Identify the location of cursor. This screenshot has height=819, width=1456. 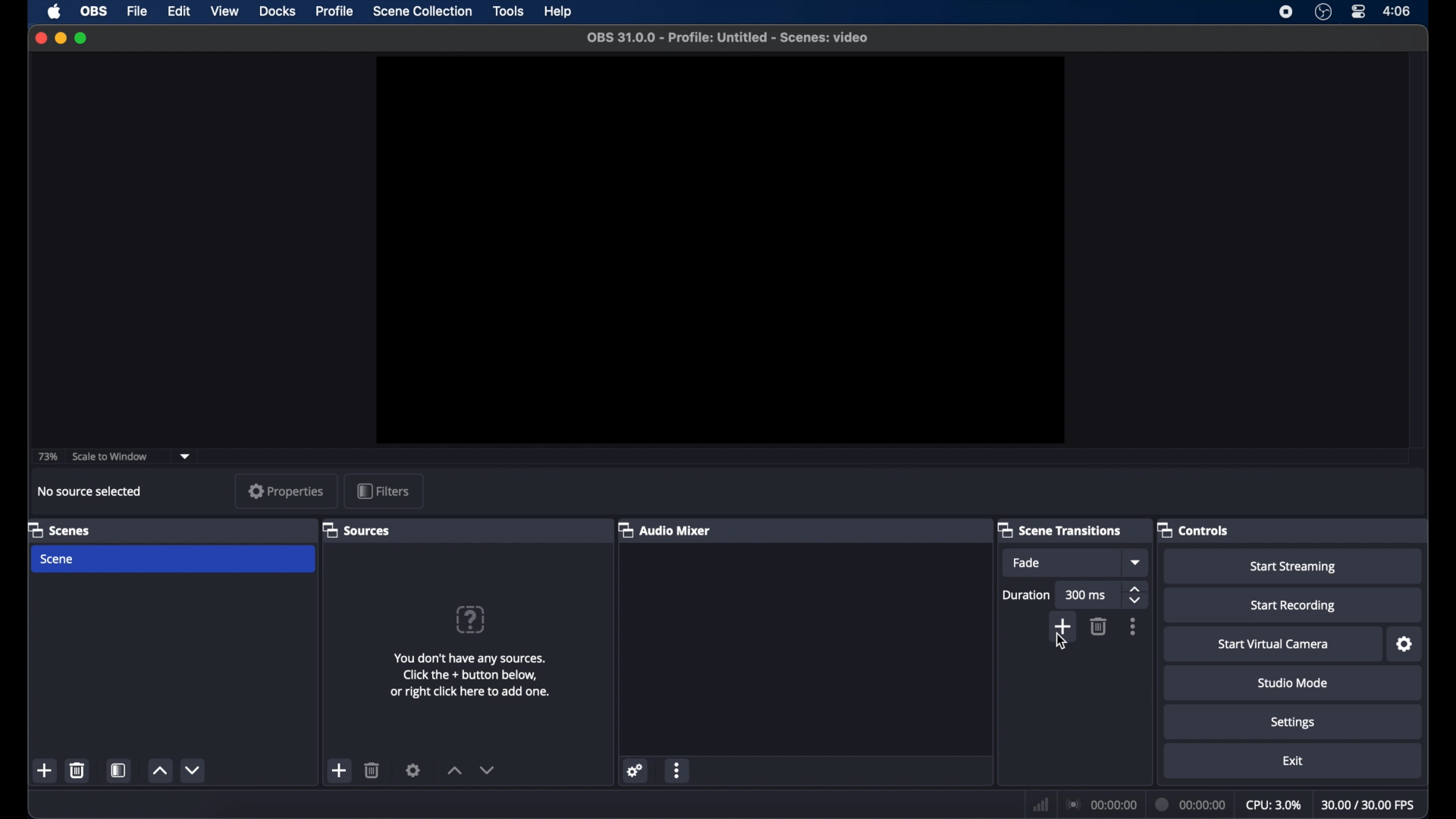
(1059, 642).